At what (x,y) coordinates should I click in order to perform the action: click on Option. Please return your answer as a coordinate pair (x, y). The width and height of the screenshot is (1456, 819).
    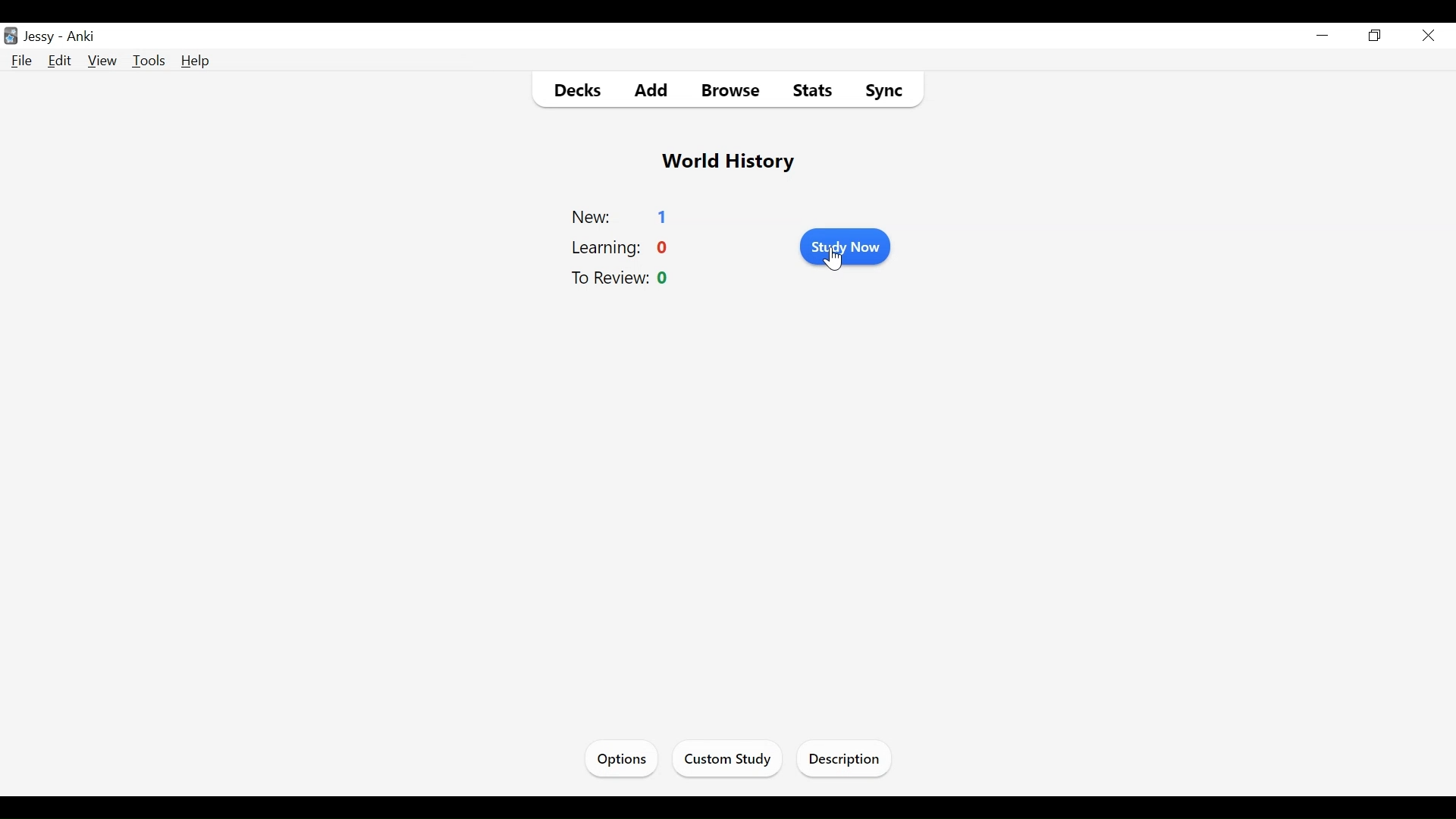
    Looking at the image, I should click on (620, 759).